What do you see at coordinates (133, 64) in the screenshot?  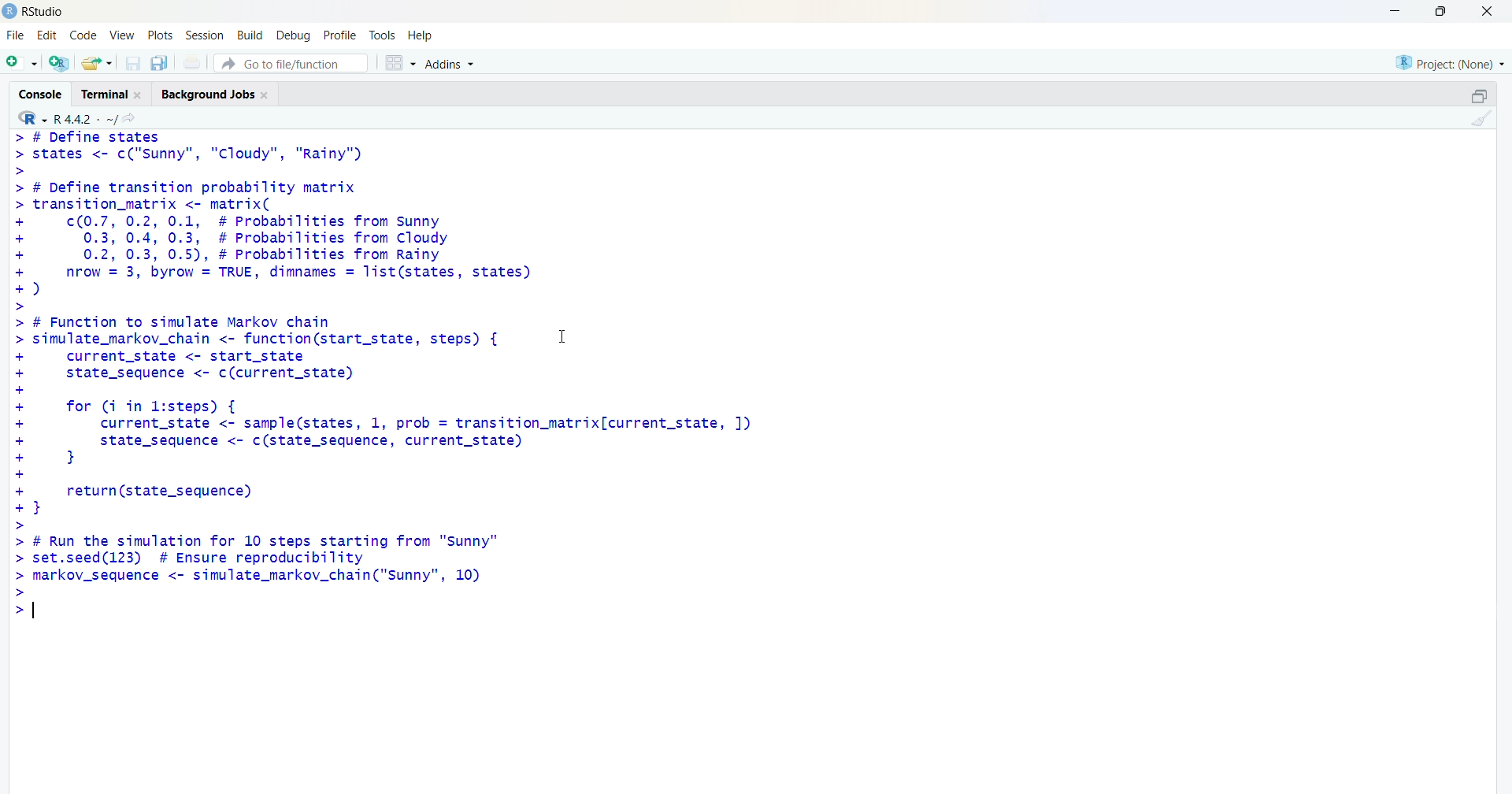 I see `save current document` at bounding box center [133, 64].